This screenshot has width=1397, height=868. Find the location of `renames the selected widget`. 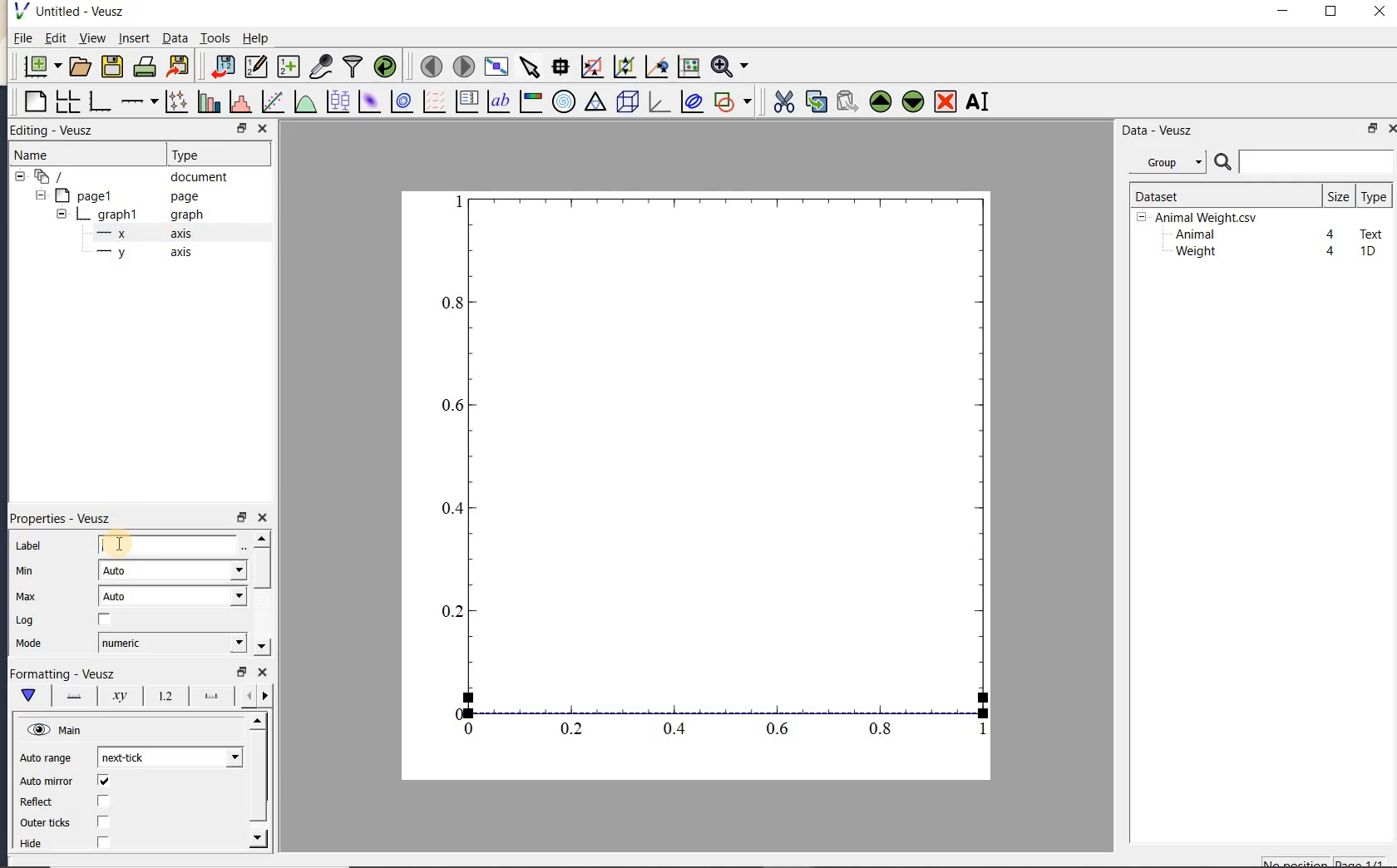

renames the selected widget is located at coordinates (976, 101).